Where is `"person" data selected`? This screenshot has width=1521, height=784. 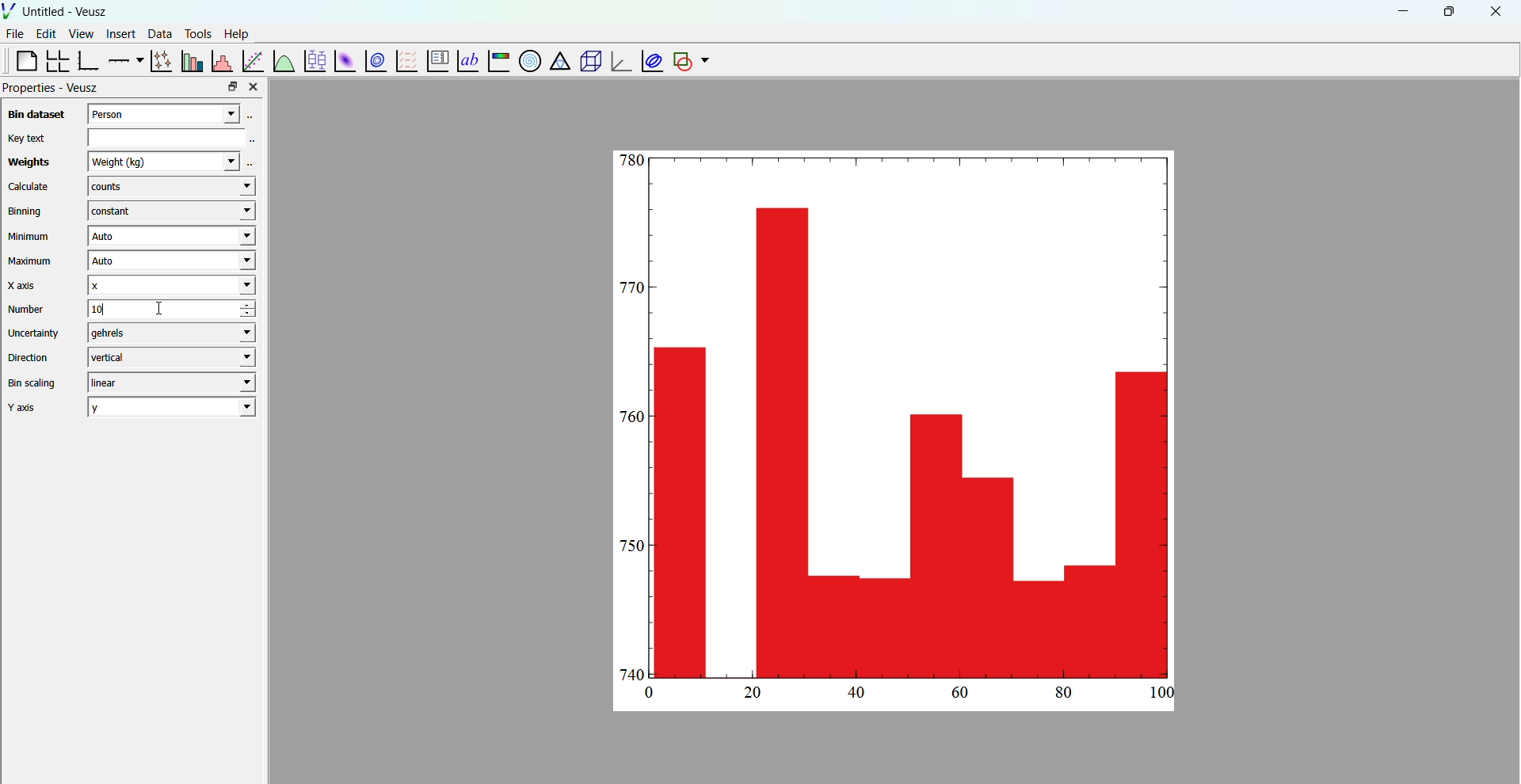 "person" data selected is located at coordinates (175, 112).